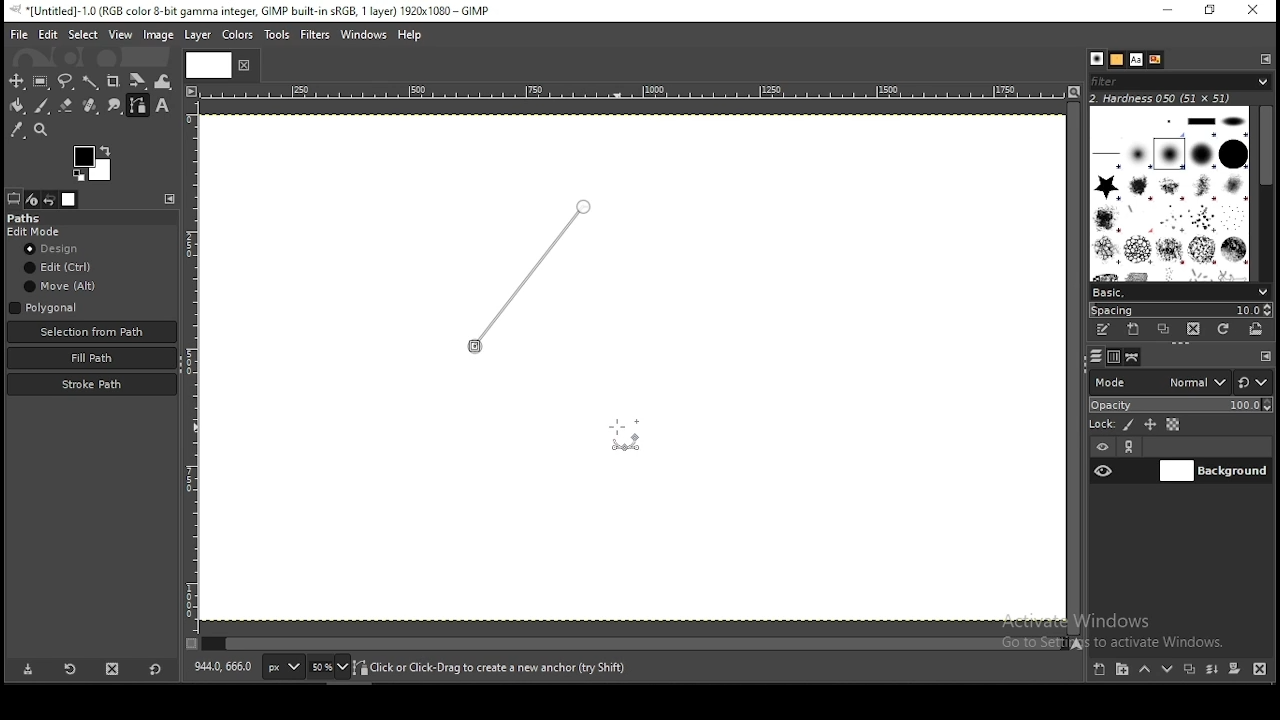 The width and height of the screenshot is (1280, 720). Describe the element at coordinates (1254, 11) in the screenshot. I see `close window` at that location.